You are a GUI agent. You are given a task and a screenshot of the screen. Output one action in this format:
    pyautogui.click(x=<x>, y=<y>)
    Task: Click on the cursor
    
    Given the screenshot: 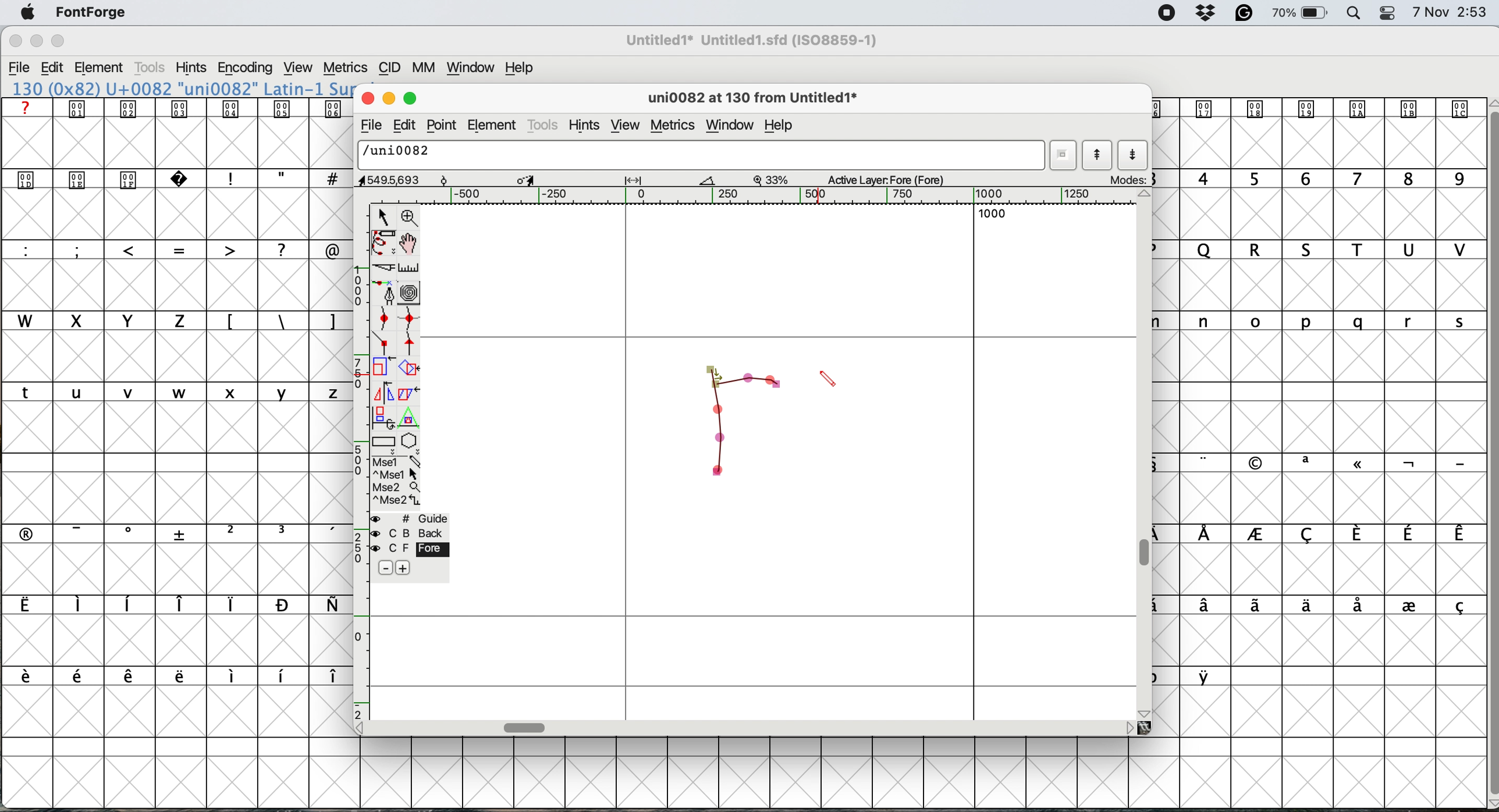 What is the action you would take?
    pyautogui.click(x=831, y=382)
    